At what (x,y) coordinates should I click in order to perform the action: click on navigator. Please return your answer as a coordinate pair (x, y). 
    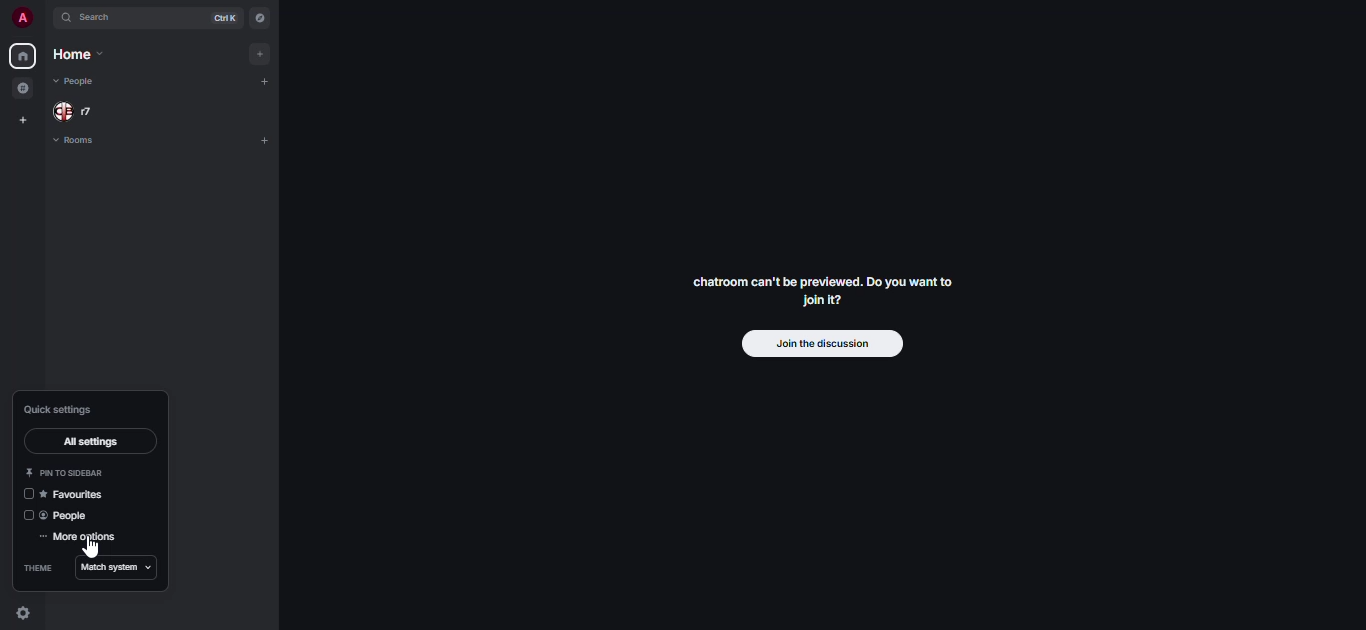
    Looking at the image, I should click on (261, 16).